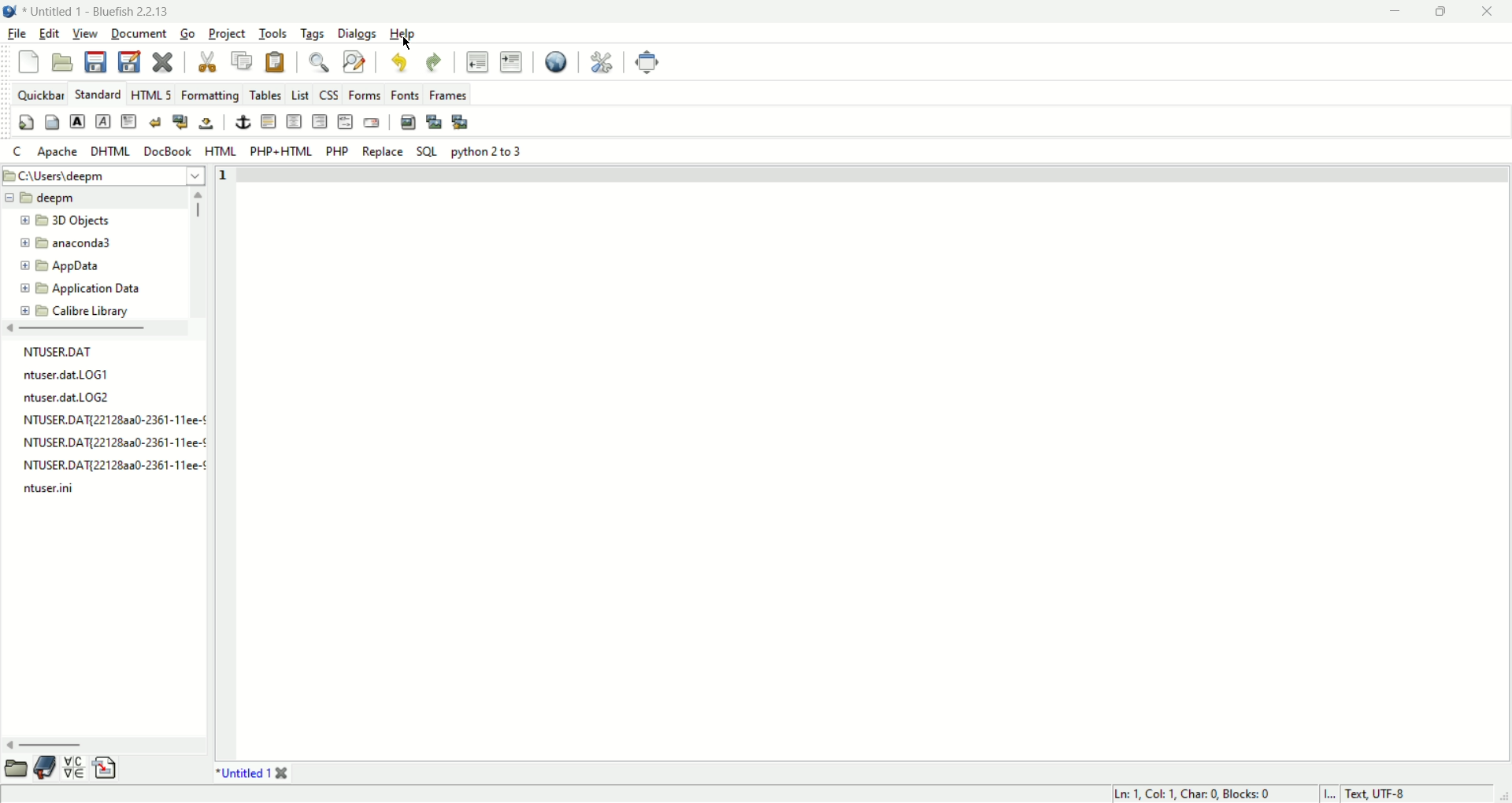 Image resolution: width=1512 pixels, height=803 pixels. I want to click on bookmarks, so click(45, 769).